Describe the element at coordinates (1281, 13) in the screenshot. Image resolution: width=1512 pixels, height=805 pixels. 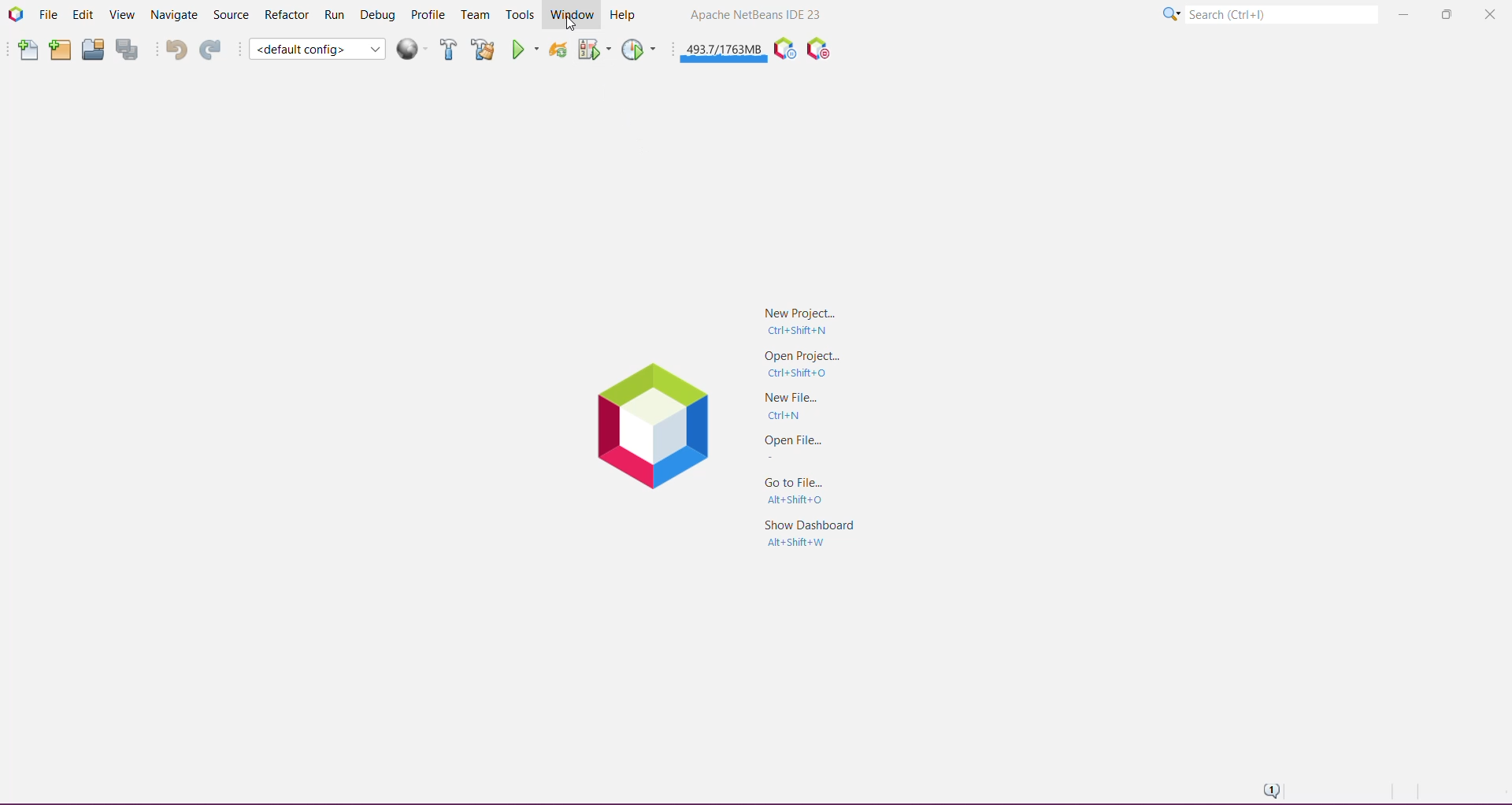
I see `Search` at that location.